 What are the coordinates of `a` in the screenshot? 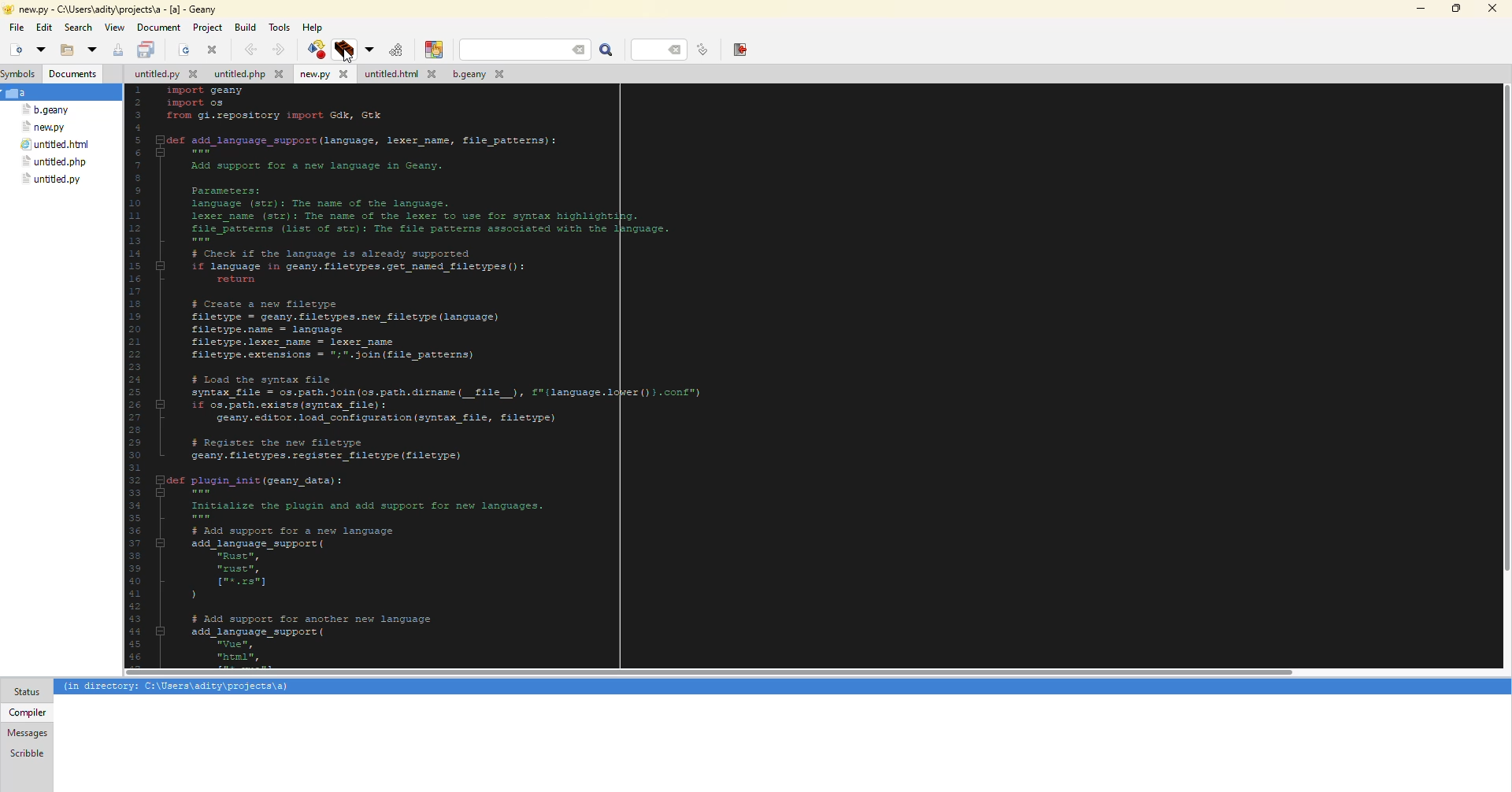 It's located at (20, 93).